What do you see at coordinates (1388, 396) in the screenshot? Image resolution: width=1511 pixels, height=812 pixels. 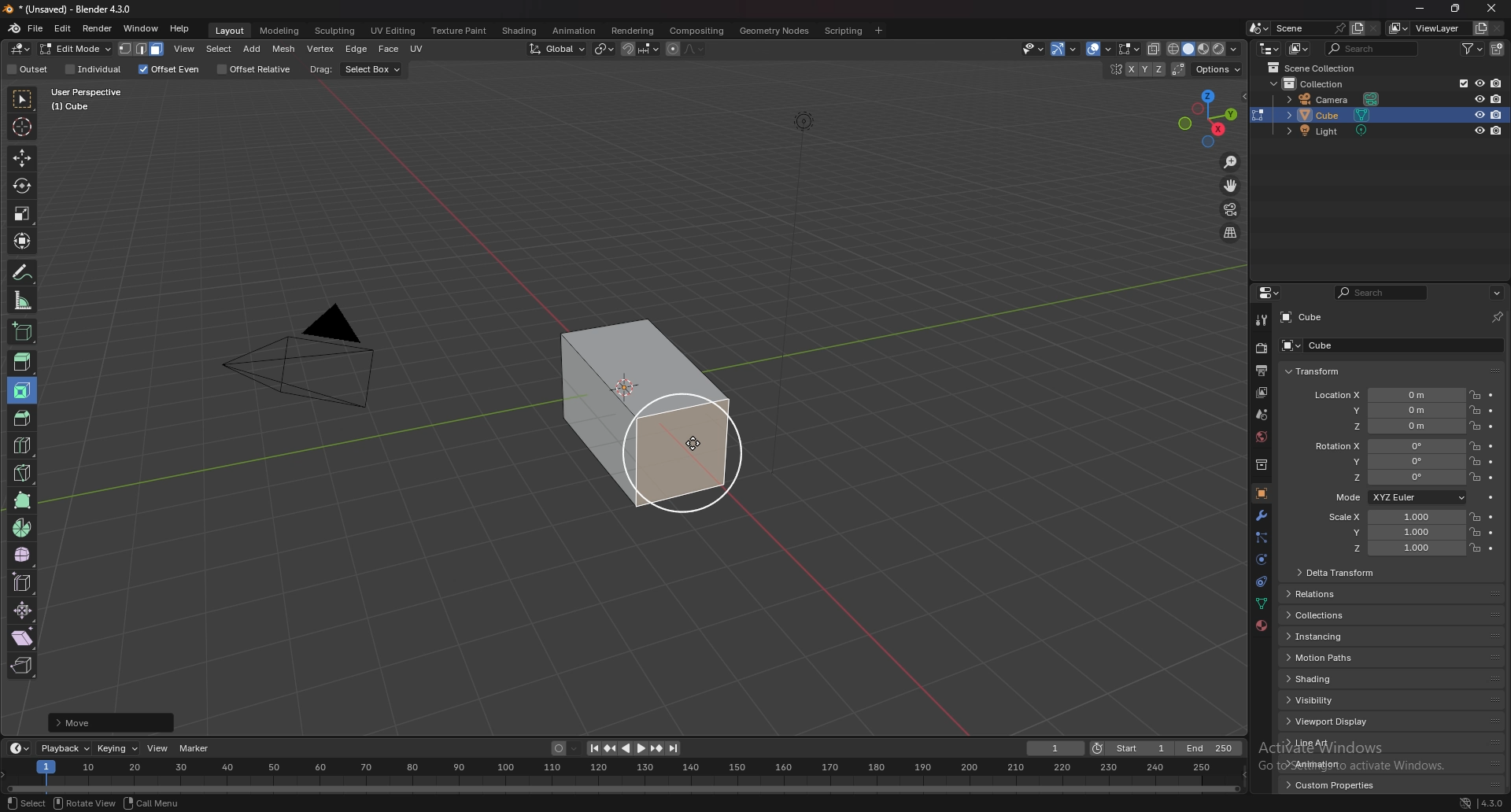 I see `location x` at bounding box center [1388, 396].